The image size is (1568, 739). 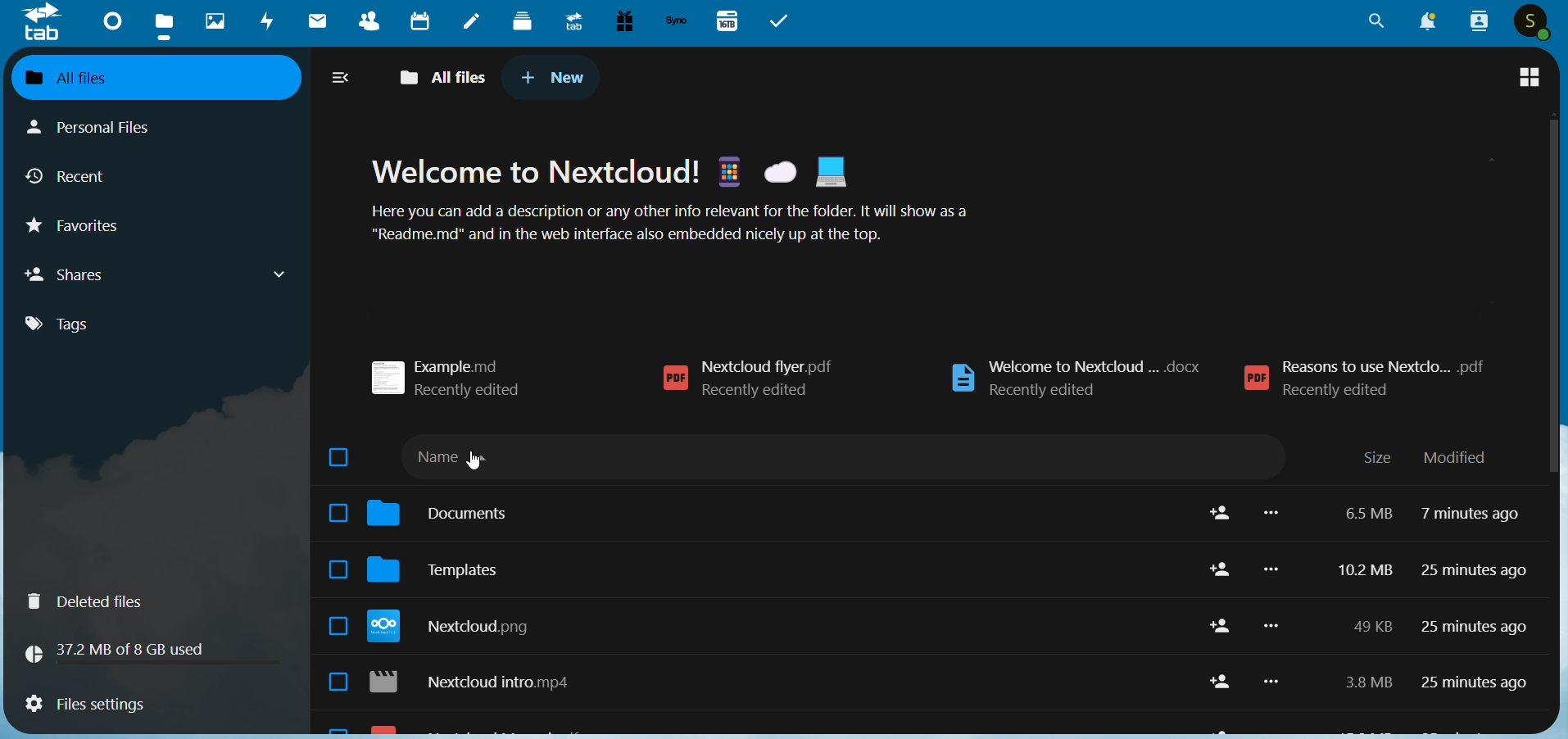 What do you see at coordinates (553, 78) in the screenshot?
I see `New` at bounding box center [553, 78].